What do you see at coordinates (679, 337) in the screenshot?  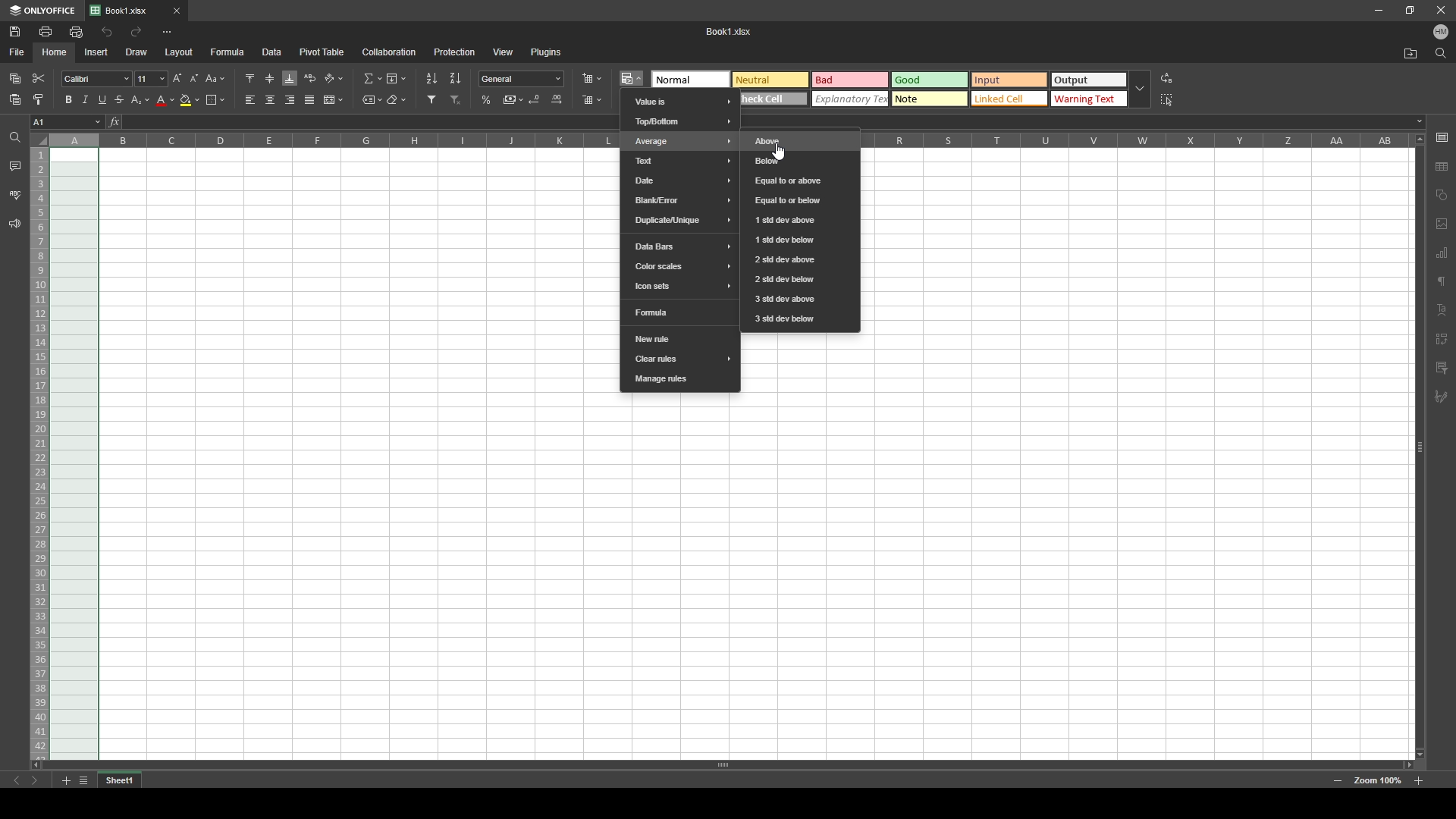 I see `new rule` at bounding box center [679, 337].